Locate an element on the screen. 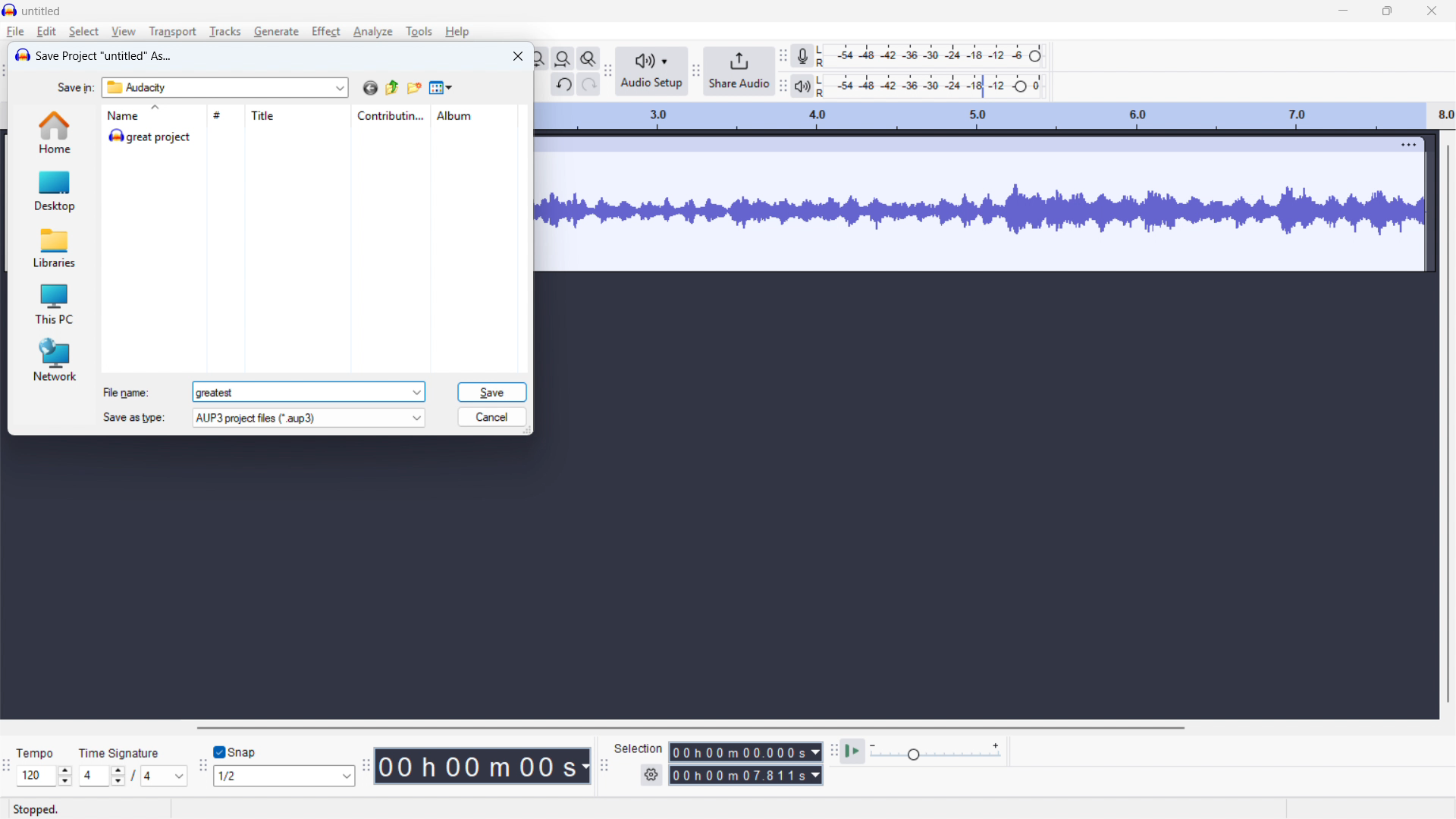  play at speed is located at coordinates (853, 752).